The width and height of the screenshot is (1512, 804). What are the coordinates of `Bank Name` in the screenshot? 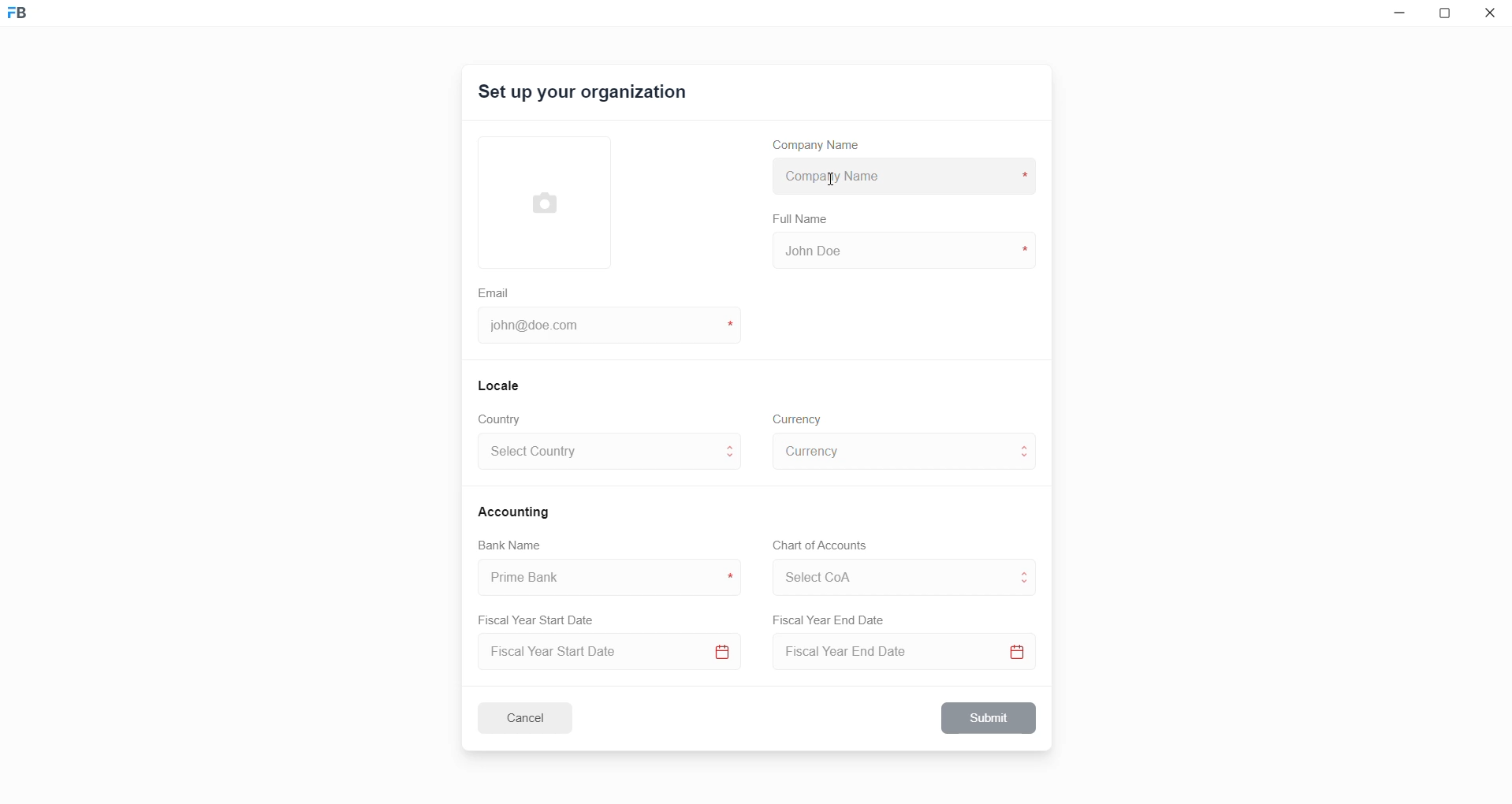 It's located at (510, 547).